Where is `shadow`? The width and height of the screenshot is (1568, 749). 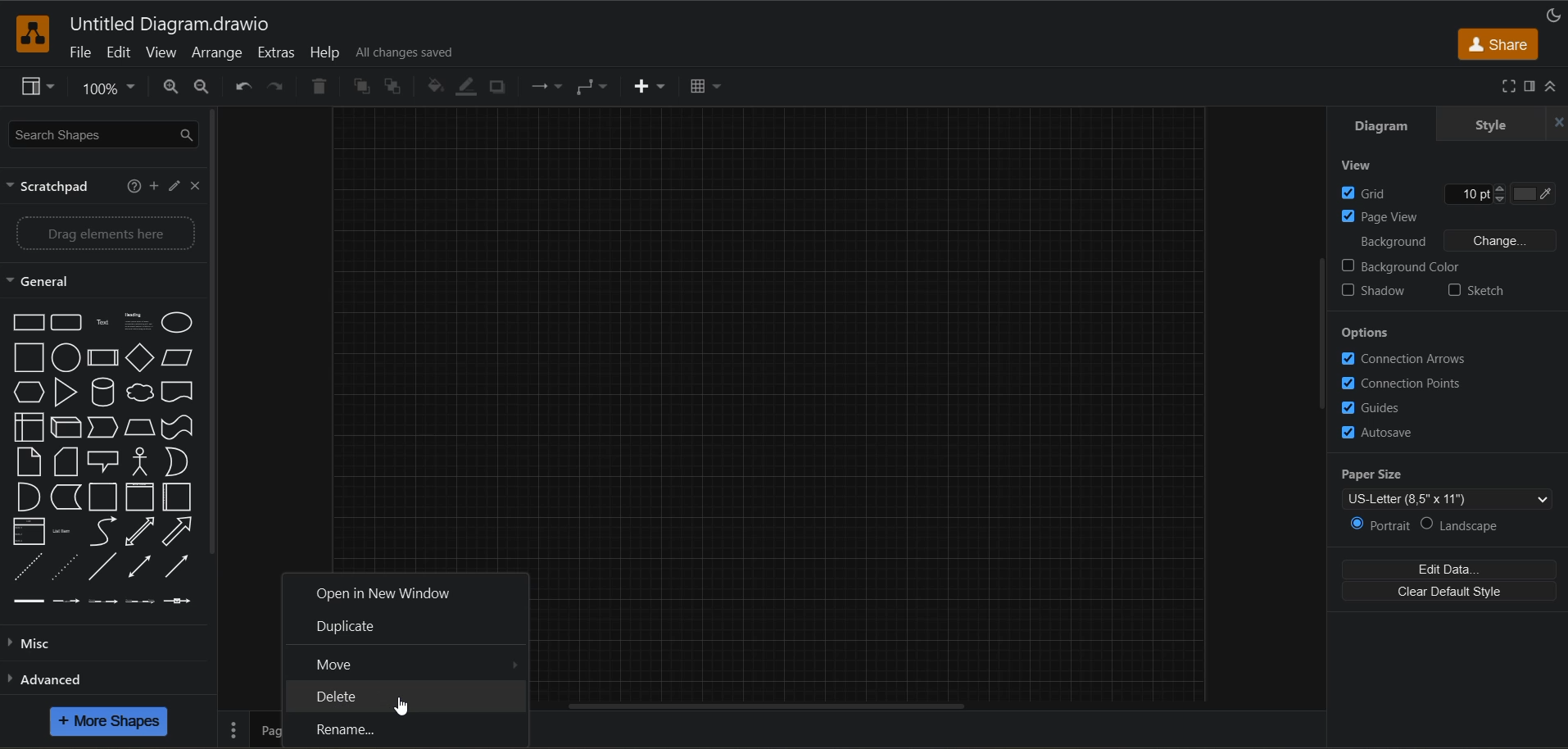 shadow is located at coordinates (499, 86).